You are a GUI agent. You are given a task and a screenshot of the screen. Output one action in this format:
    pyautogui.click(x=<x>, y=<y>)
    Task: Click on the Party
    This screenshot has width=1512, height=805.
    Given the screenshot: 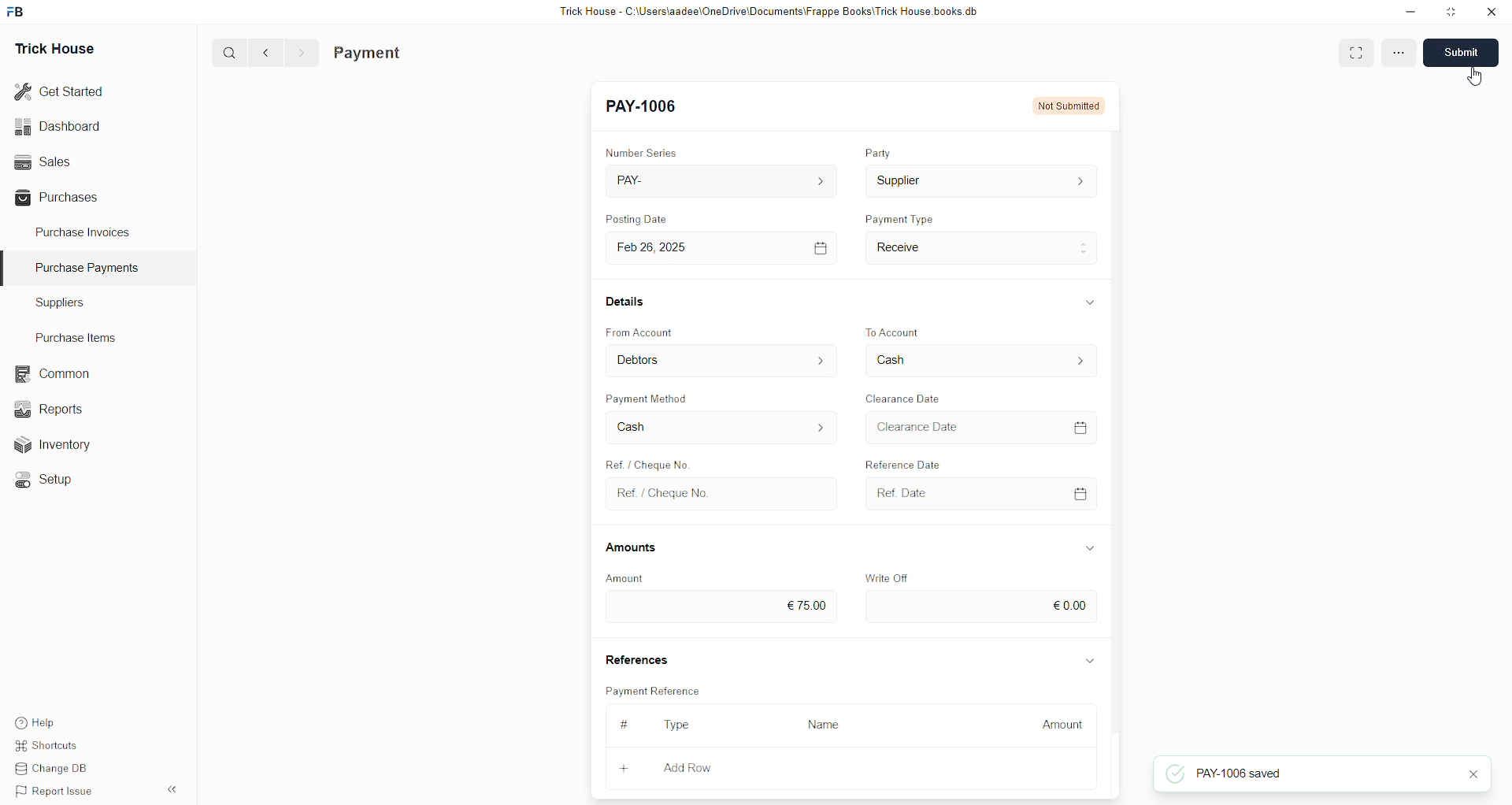 What is the action you would take?
    pyautogui.click(x=880, y=154)
    